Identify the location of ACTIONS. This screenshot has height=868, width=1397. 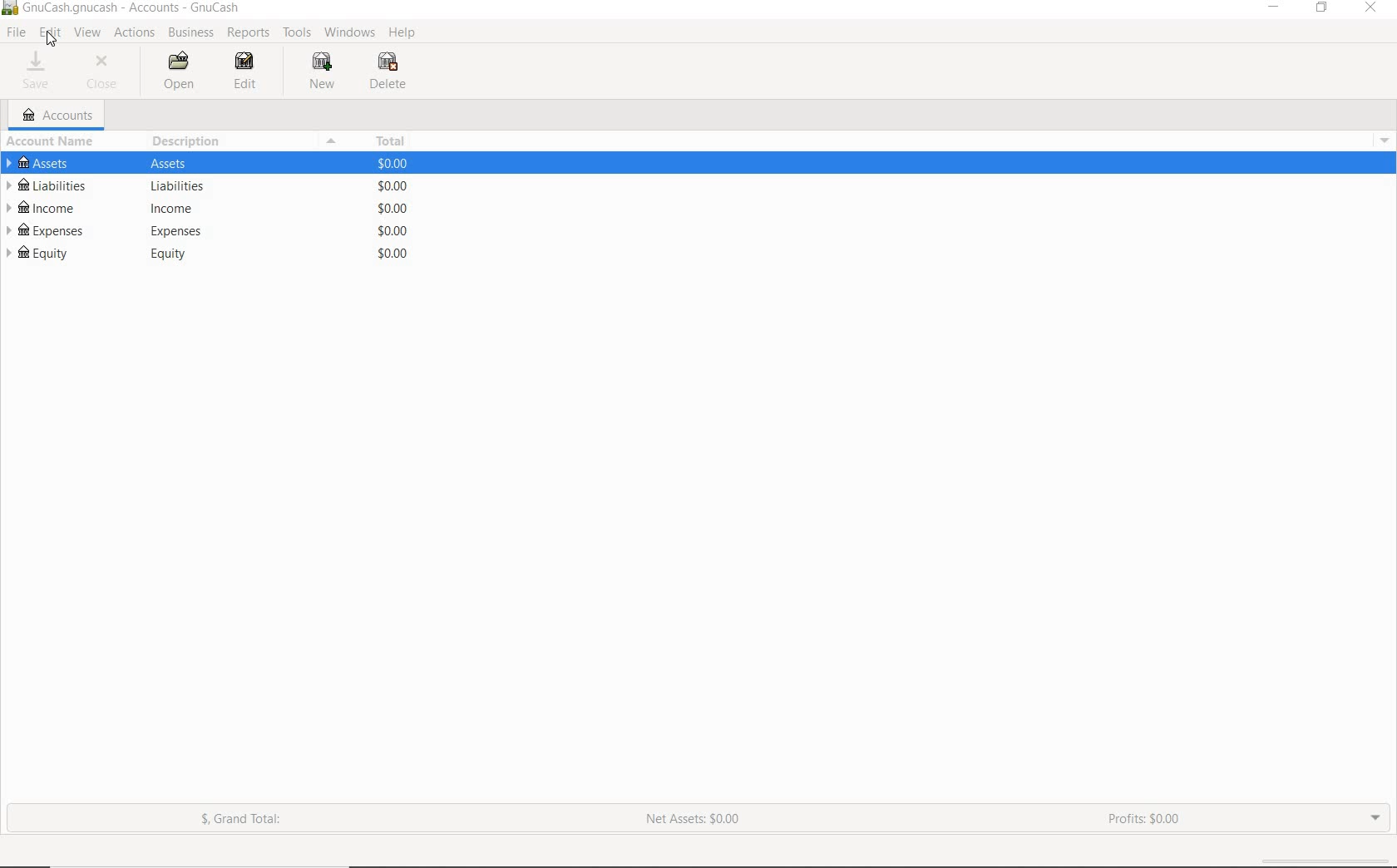
(136, 33).